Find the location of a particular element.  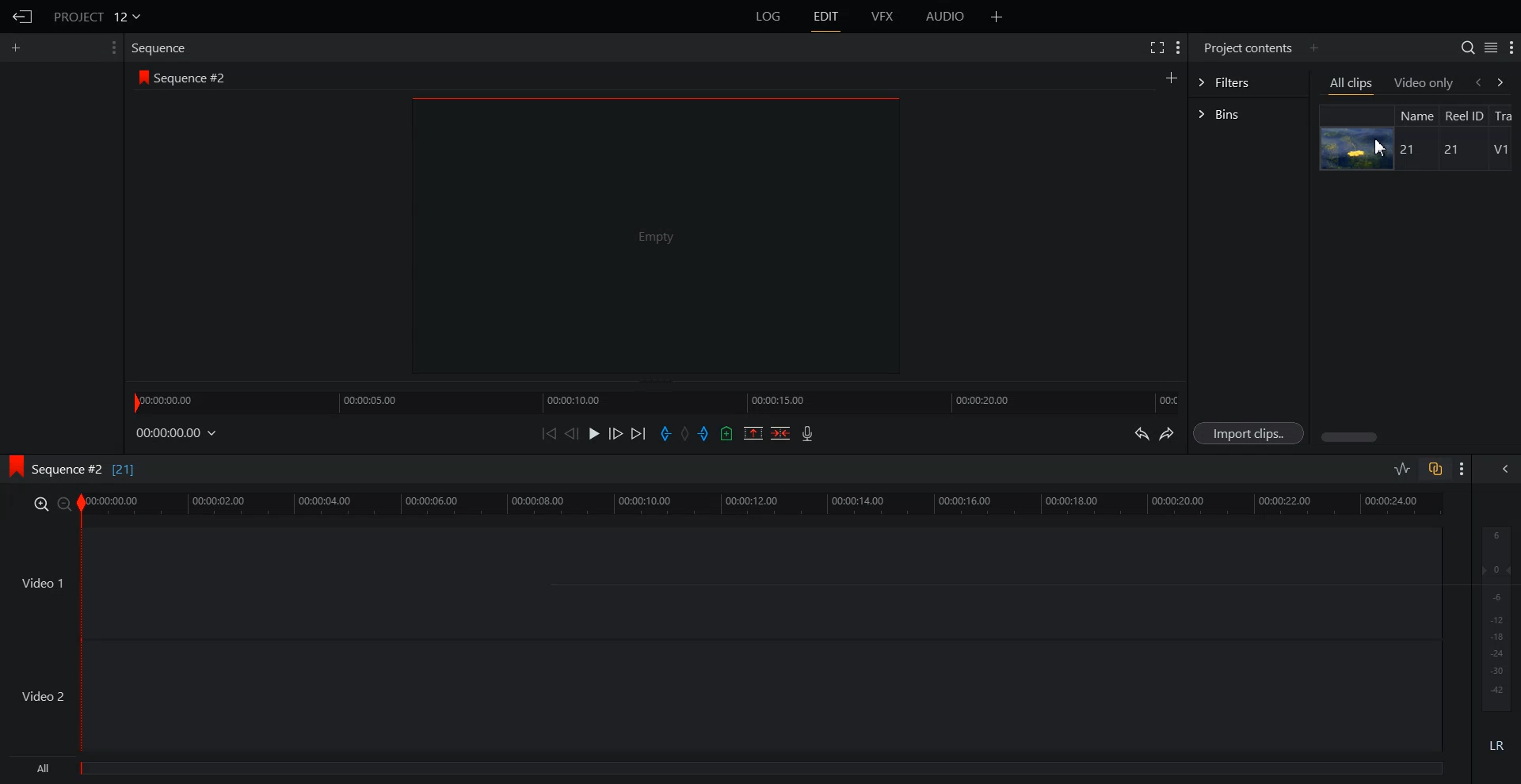

Move Forward is located at coordinates (638, 433).